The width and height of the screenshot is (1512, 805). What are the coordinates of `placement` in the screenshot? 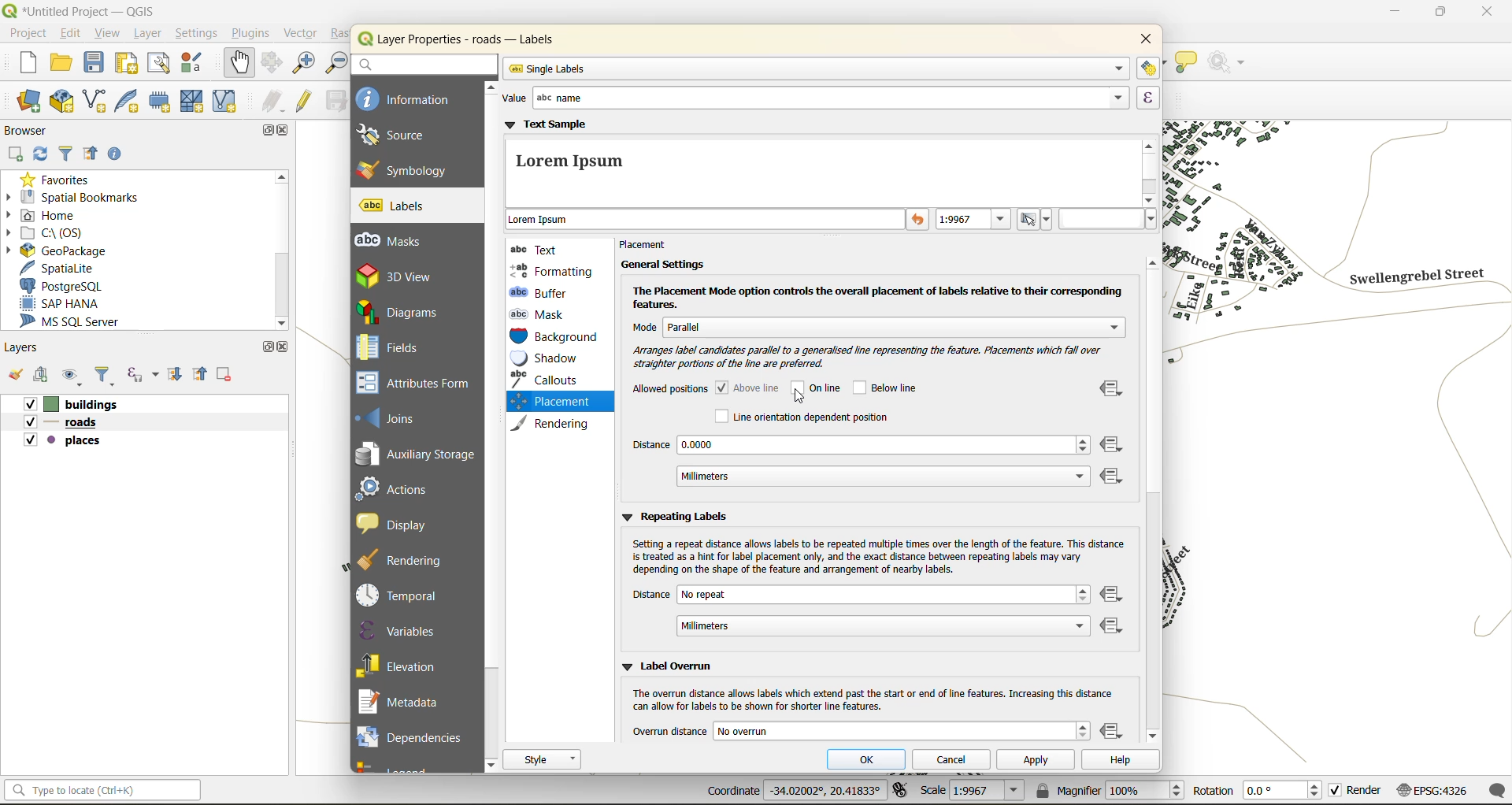 It's located at (547, 402).